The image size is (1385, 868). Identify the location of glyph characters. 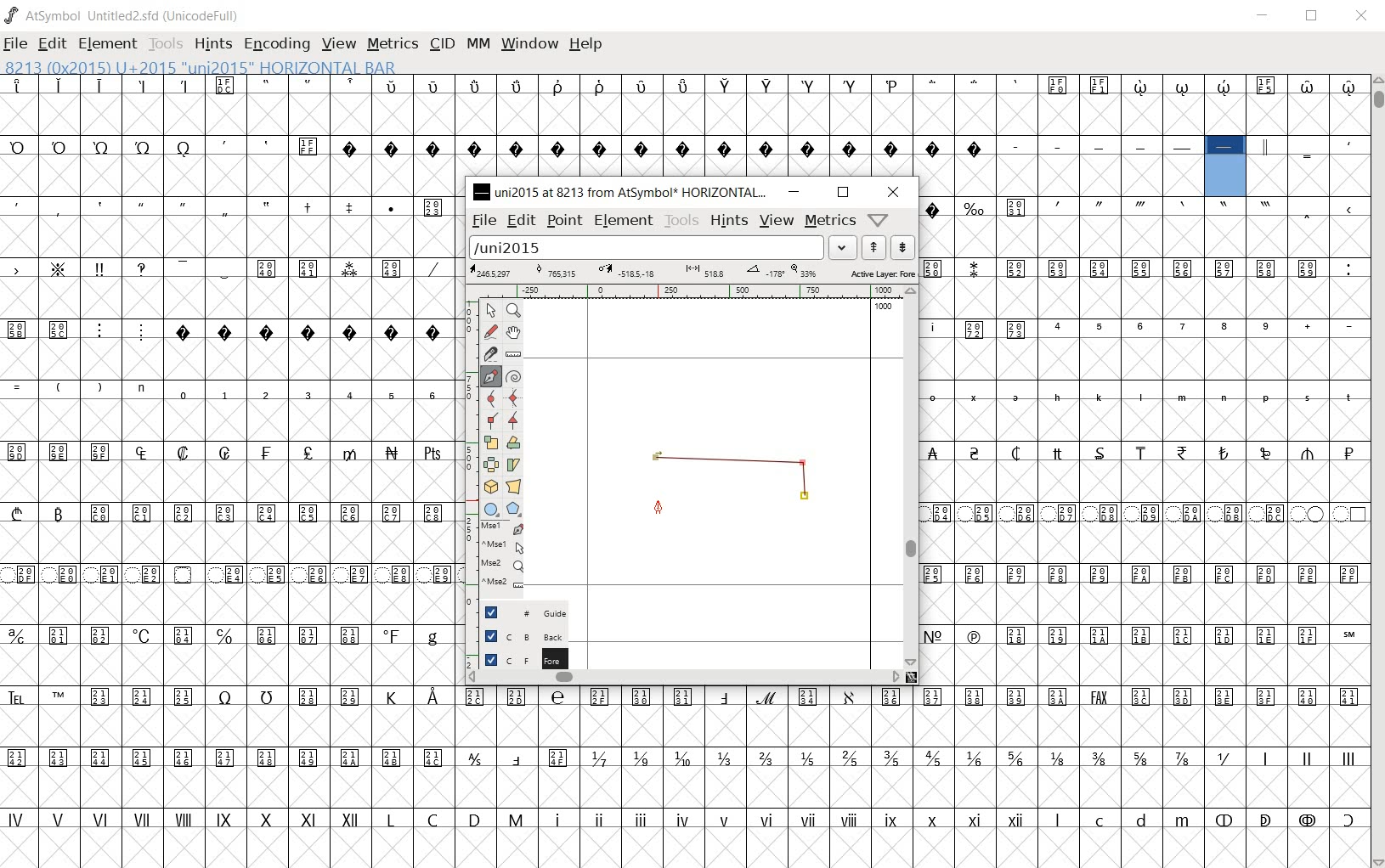
(928, 105).